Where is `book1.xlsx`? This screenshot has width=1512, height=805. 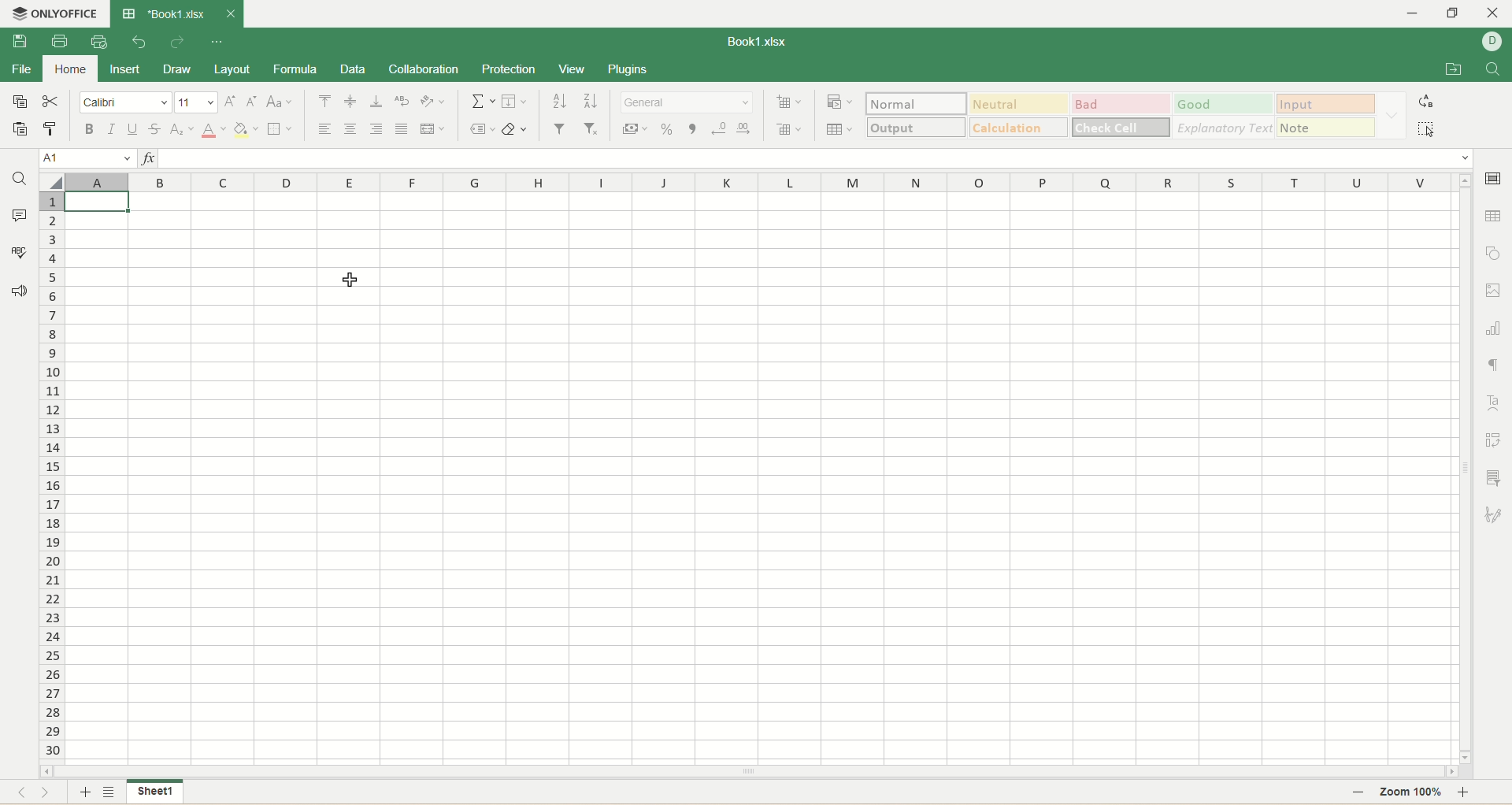
book1.xlsx is located at coordinates (764, 43).